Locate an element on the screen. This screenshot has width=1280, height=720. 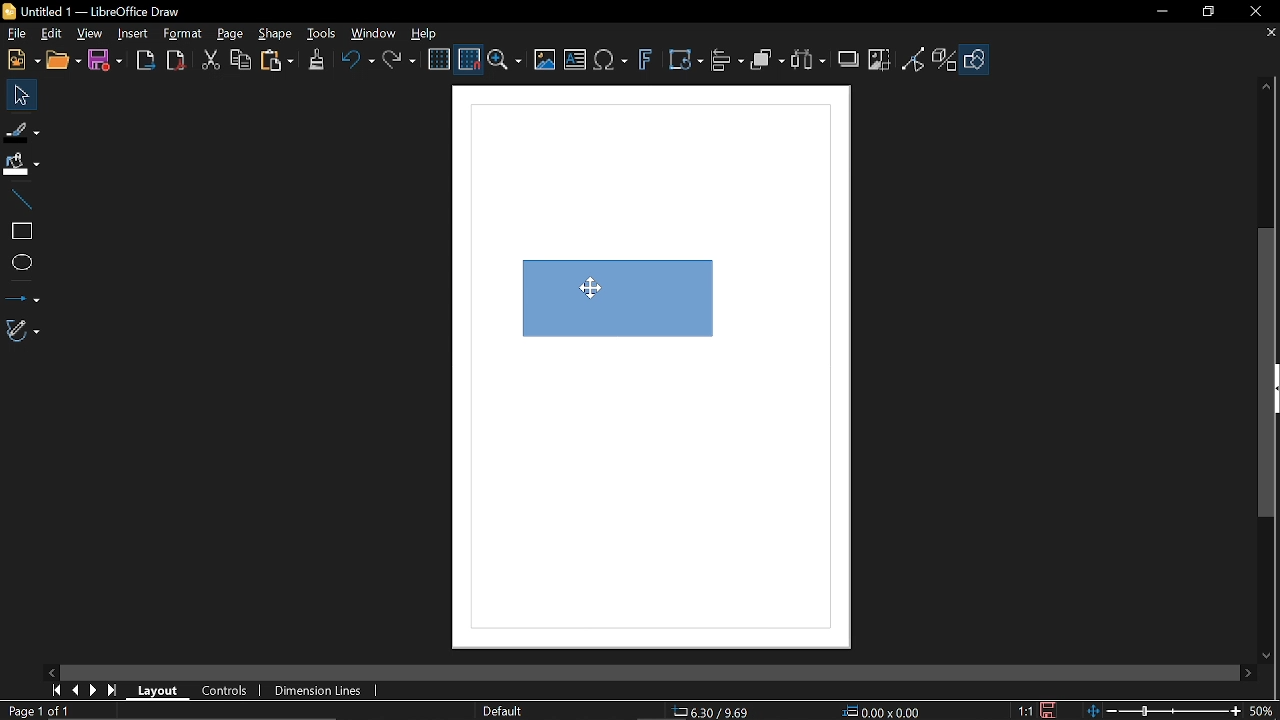
Cut is located at coordinates (209, 63).